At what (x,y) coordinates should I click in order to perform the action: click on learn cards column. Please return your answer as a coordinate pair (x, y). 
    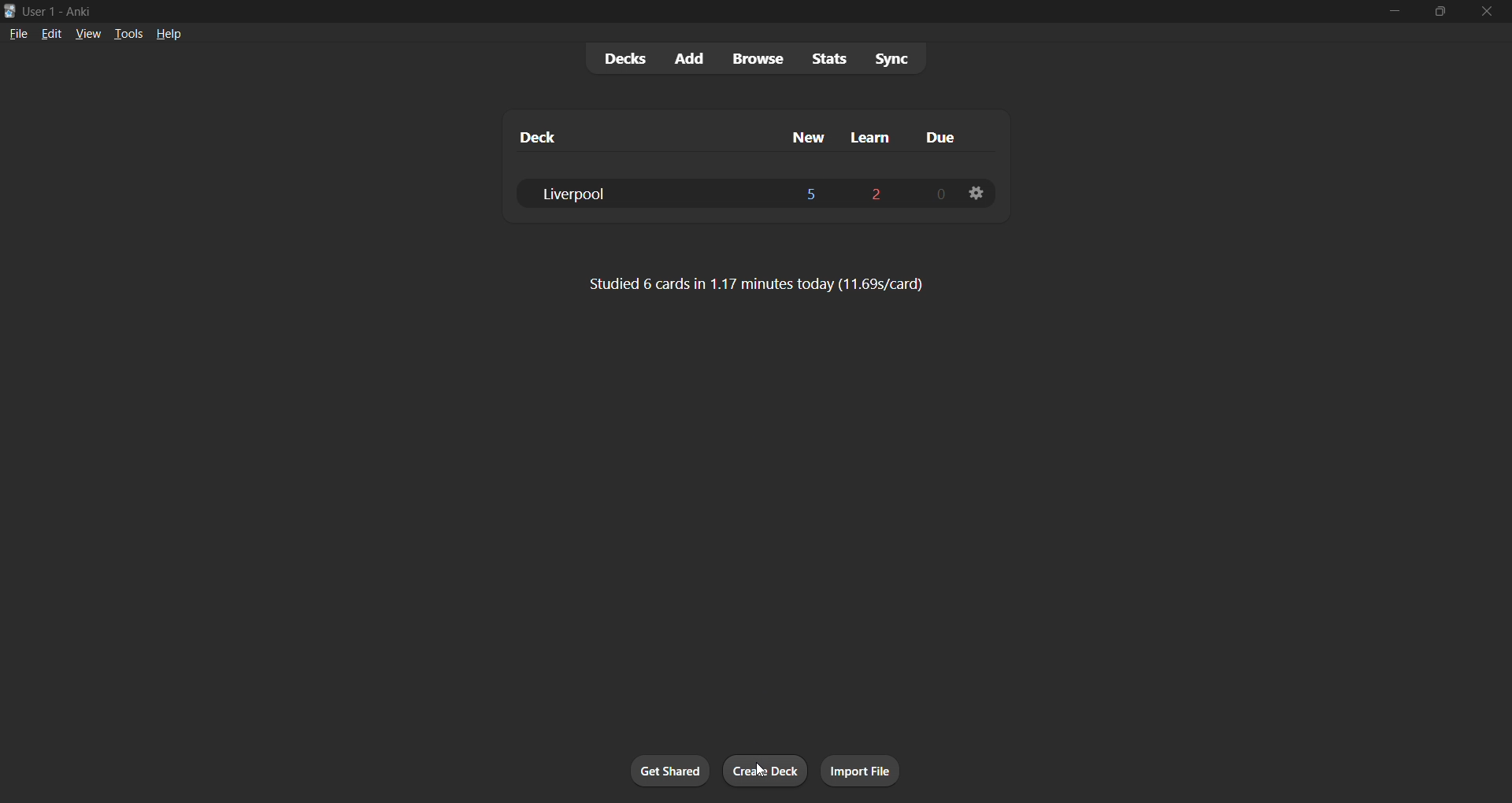
    Looking at the image, I should click on (880, 139).